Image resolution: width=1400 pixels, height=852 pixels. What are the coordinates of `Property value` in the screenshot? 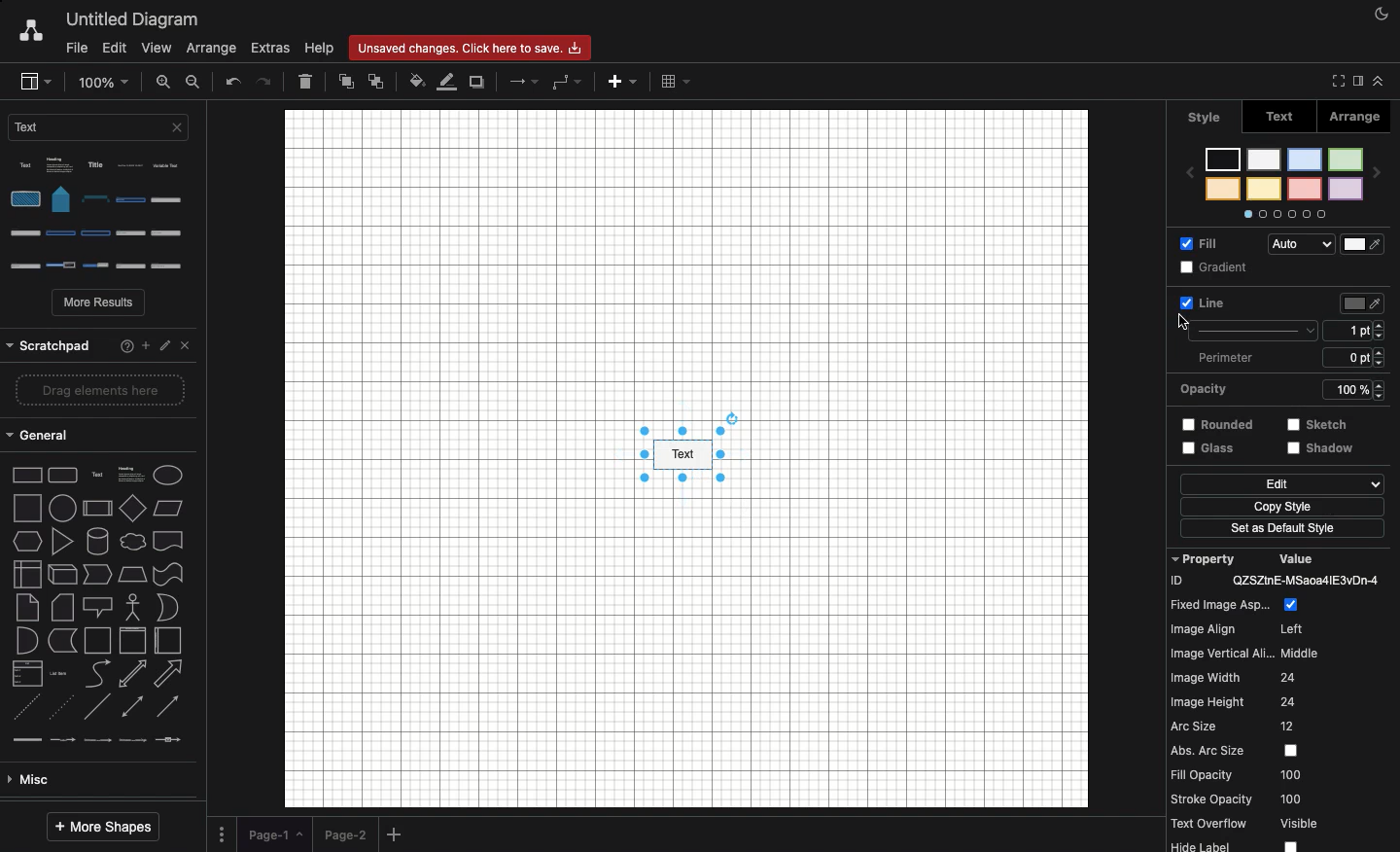 It's located at (1283, 697).